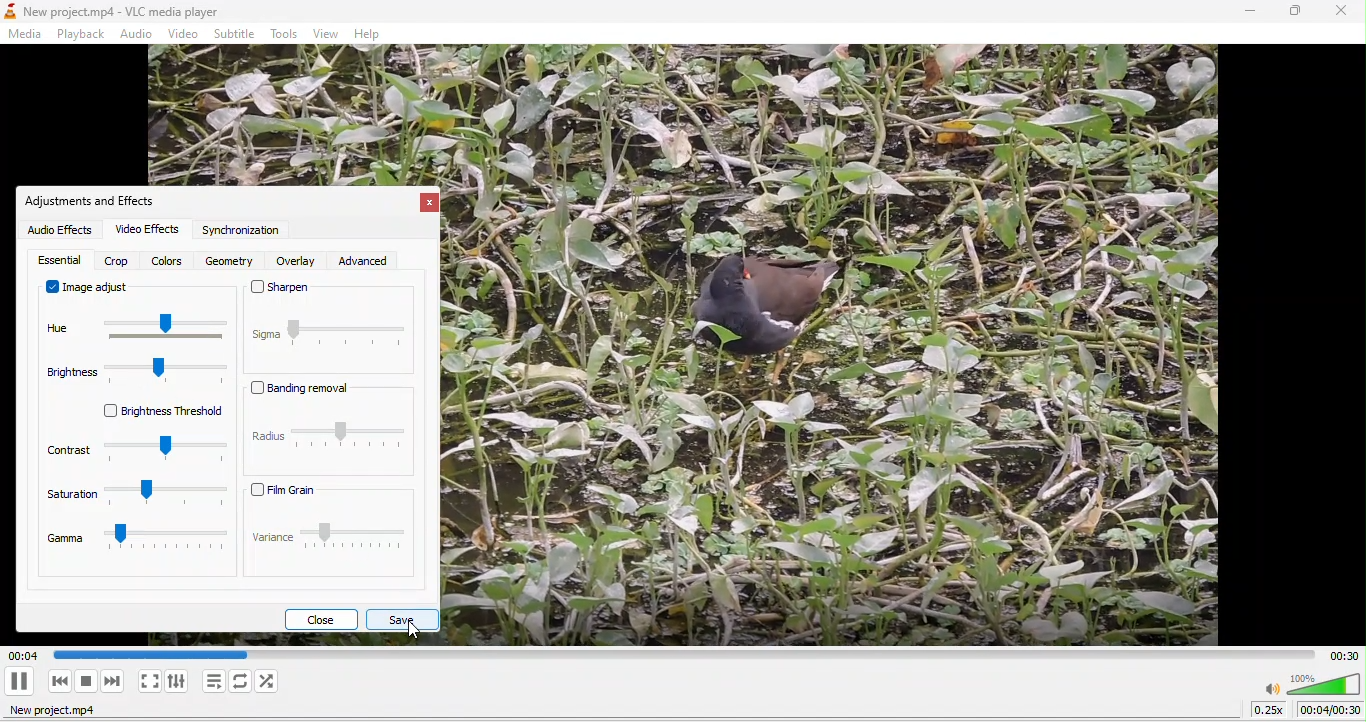 Image resolution: width=1366 pixels, height=722 pixels. I want to click on view, so click(324, 34).